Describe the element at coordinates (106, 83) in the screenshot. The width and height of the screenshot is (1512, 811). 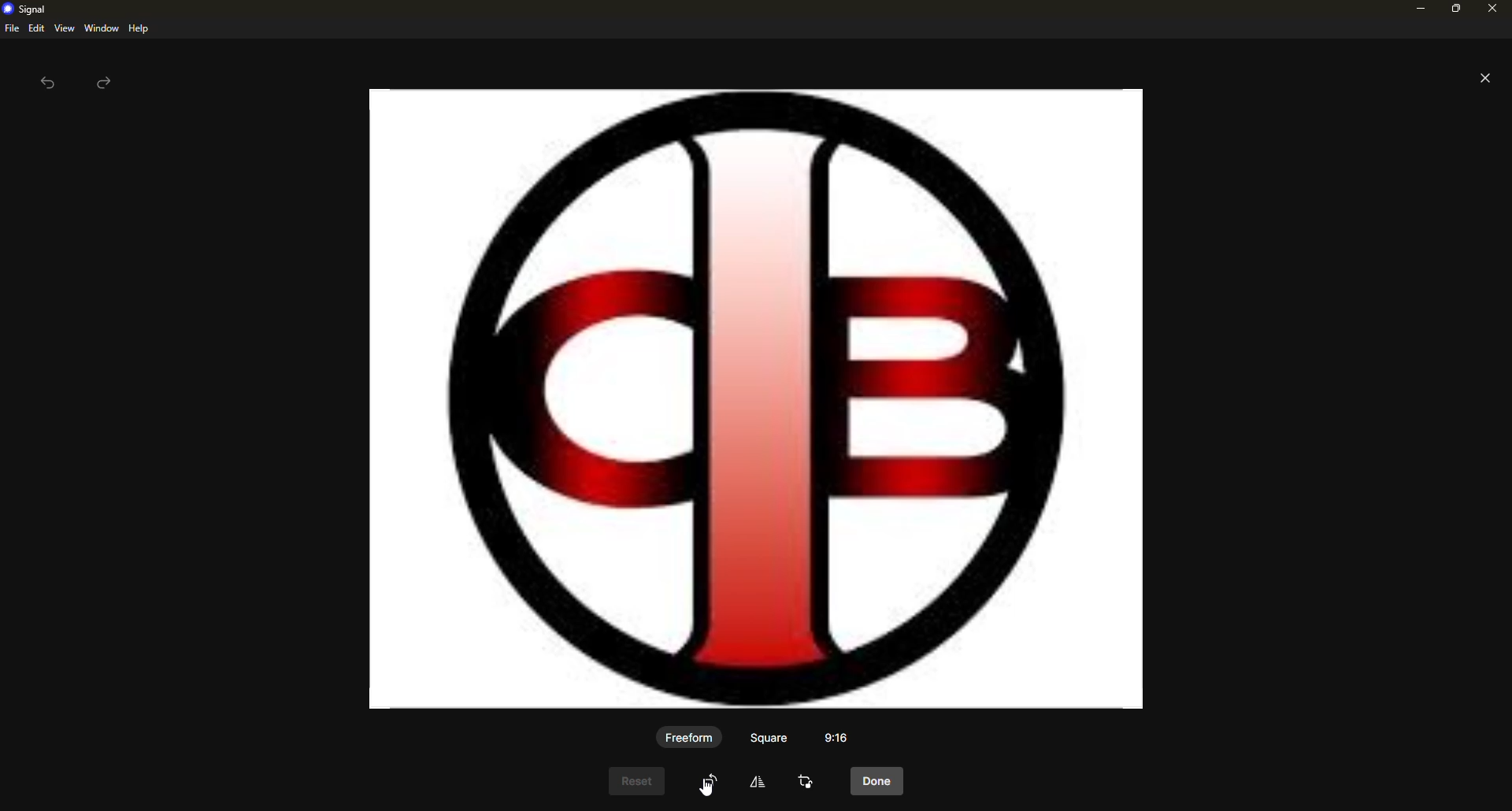
I see `forward` at that location.